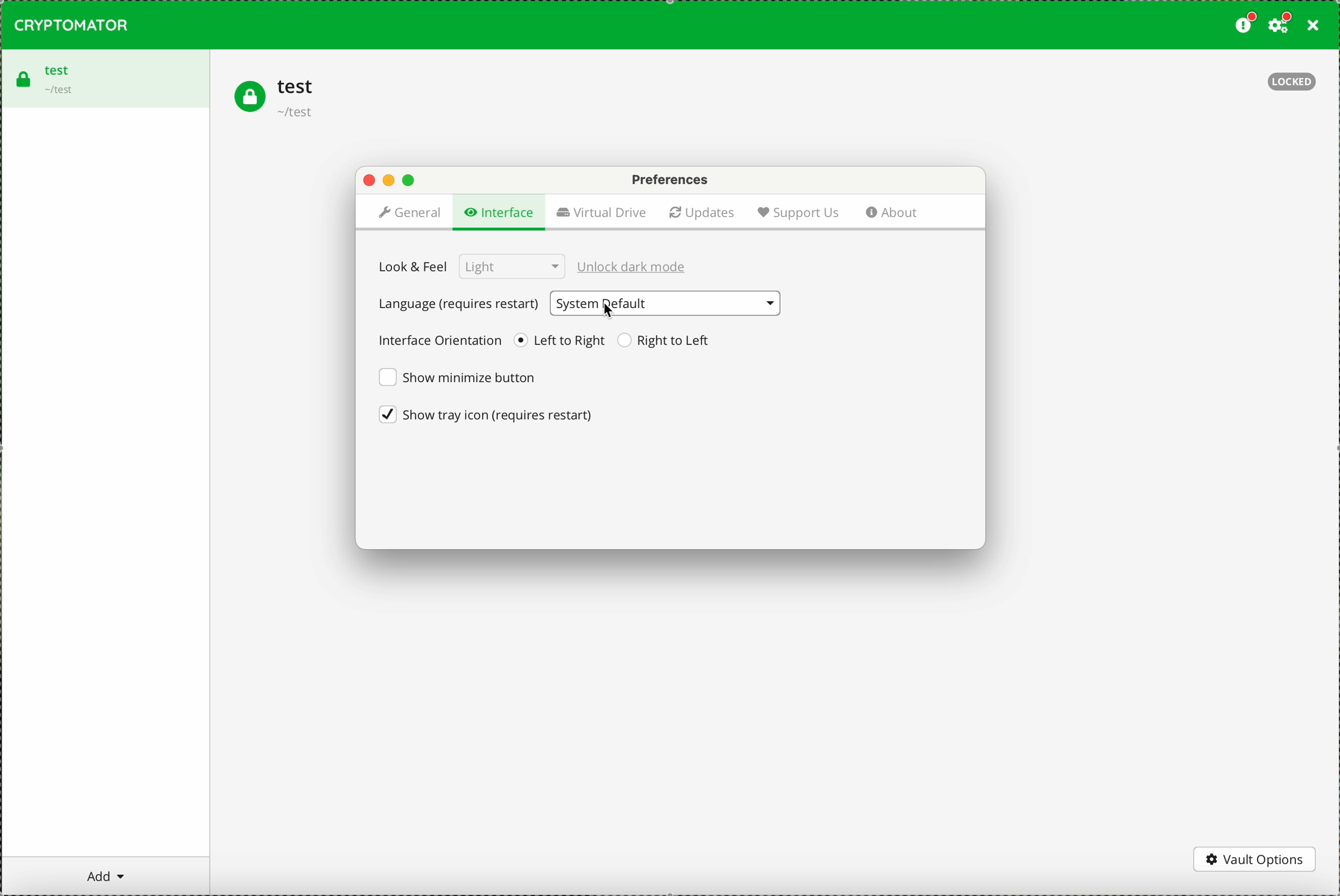 Image resolution: width=1340 pixels, height=896 pixels. I want to click on close program, so click(1311, 27).